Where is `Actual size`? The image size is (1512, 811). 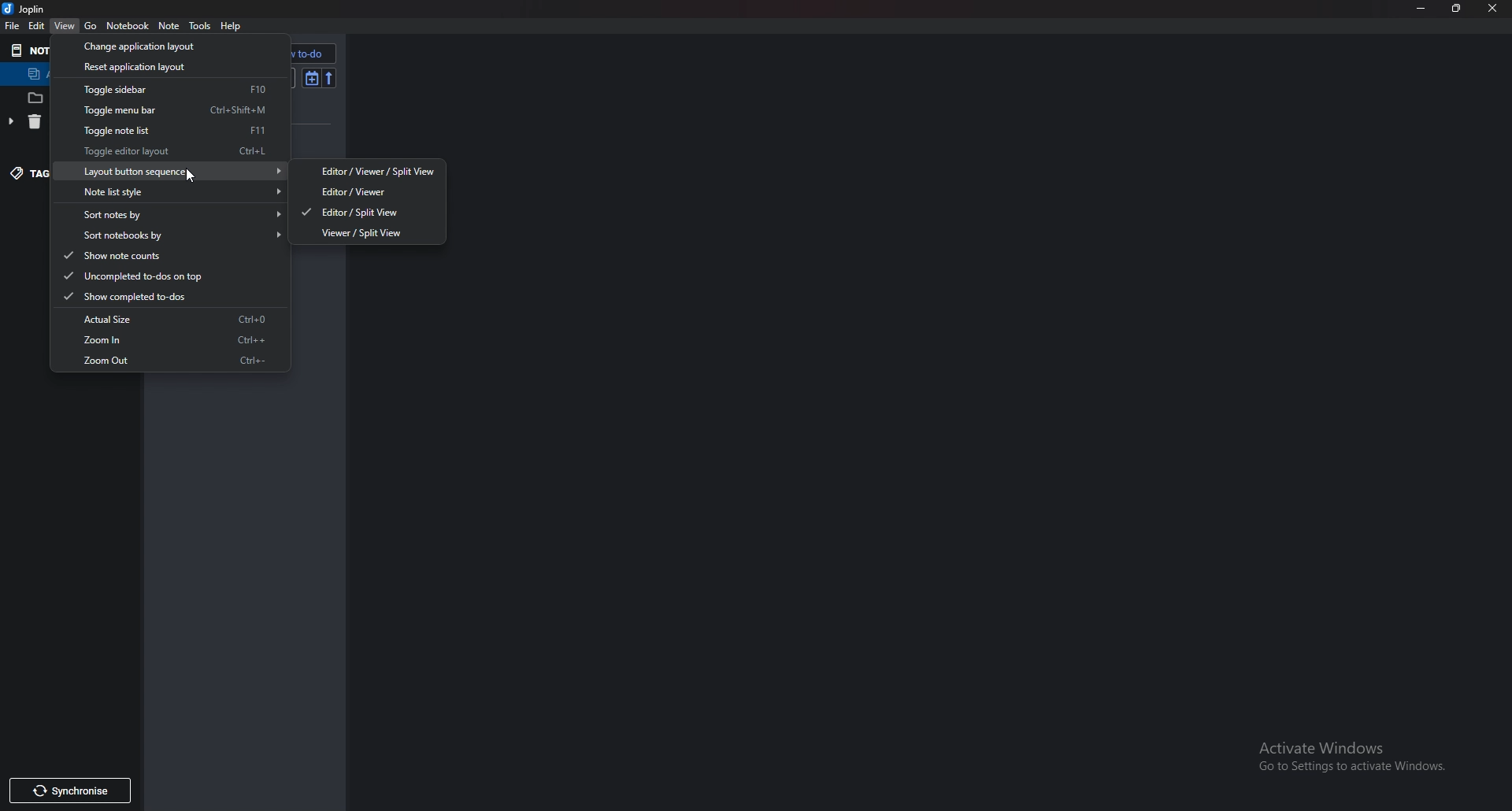
Actual size is located at coordinates (169, 320).